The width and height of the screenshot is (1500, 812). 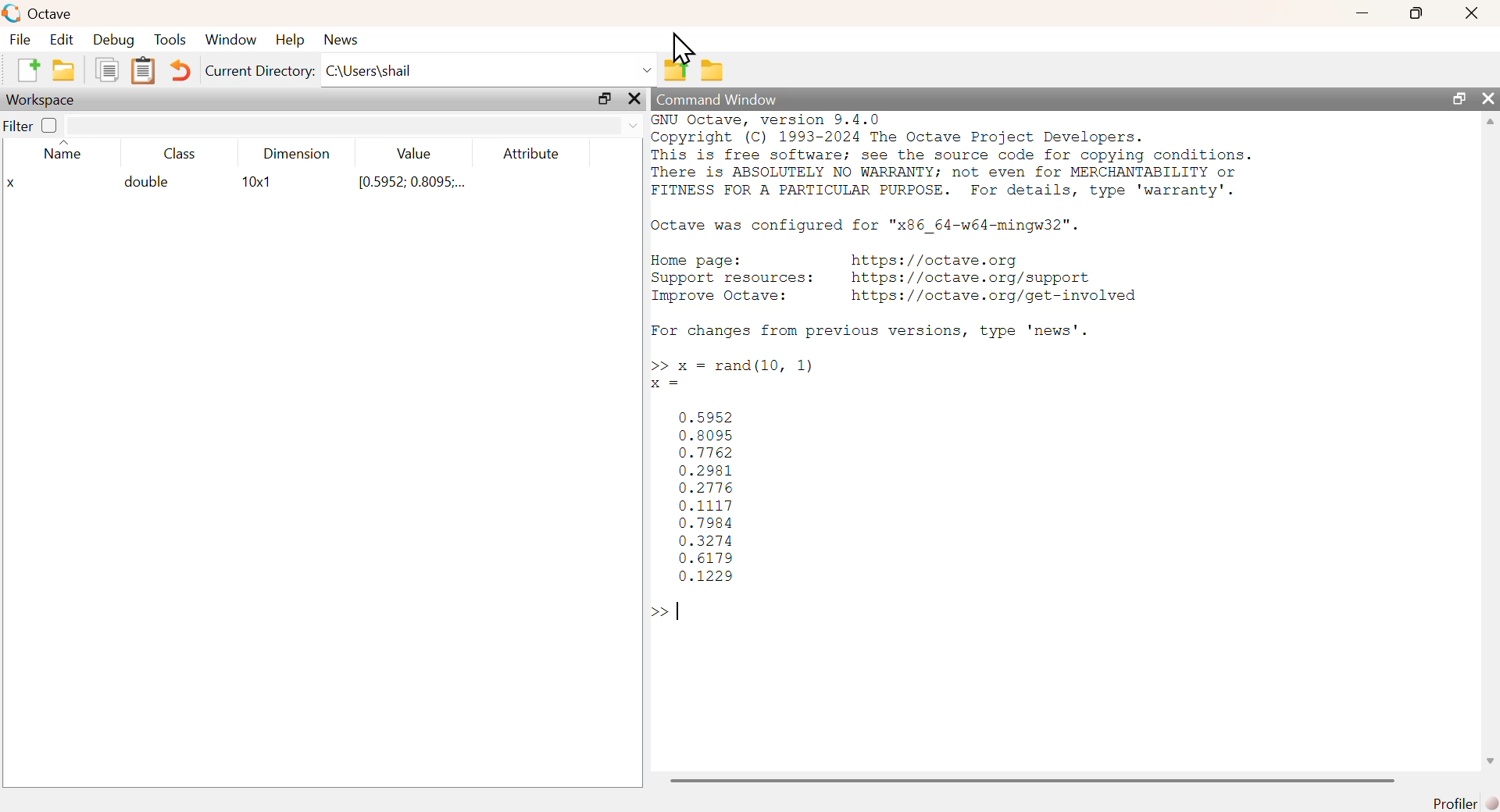 What do you see at coordinates (64, 41) in the screenshot?
I see `edit` at bounding box center [64, 41].